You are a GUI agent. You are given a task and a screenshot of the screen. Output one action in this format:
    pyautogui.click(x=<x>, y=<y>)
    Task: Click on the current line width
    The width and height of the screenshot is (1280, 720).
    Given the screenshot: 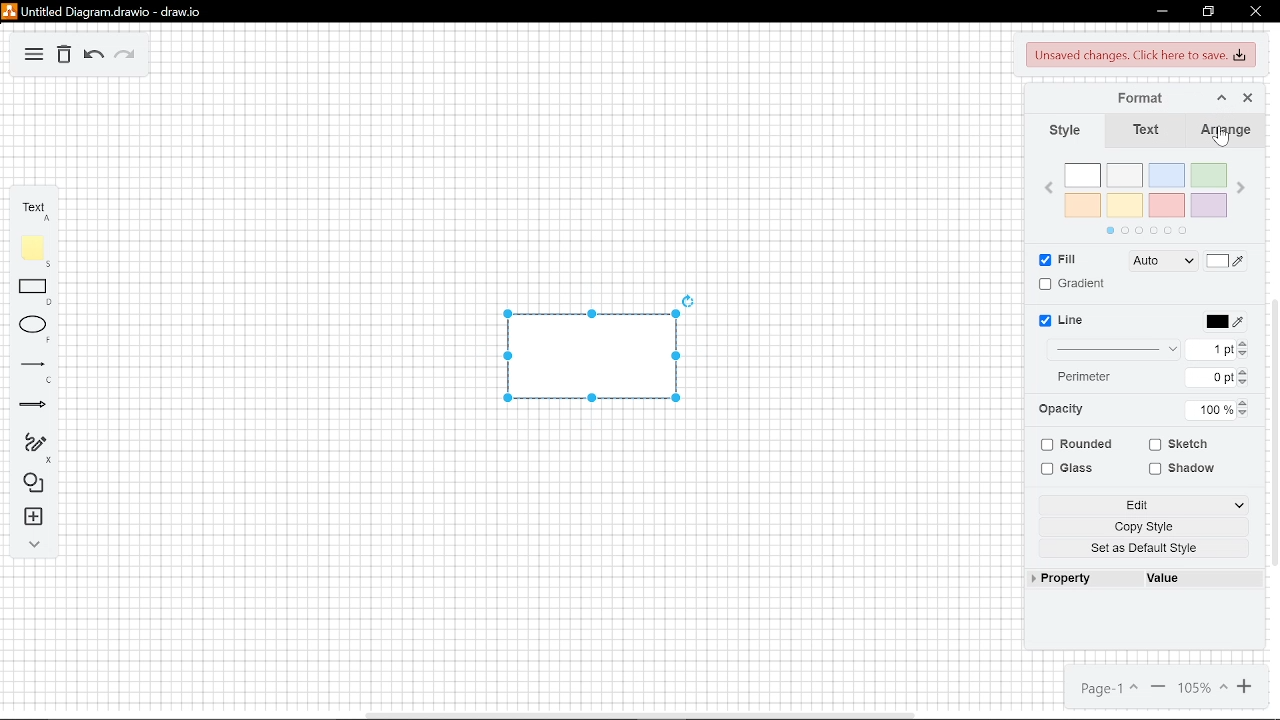 What is the action you would take?
    pyautogui.click(x=1210, y=351)
    